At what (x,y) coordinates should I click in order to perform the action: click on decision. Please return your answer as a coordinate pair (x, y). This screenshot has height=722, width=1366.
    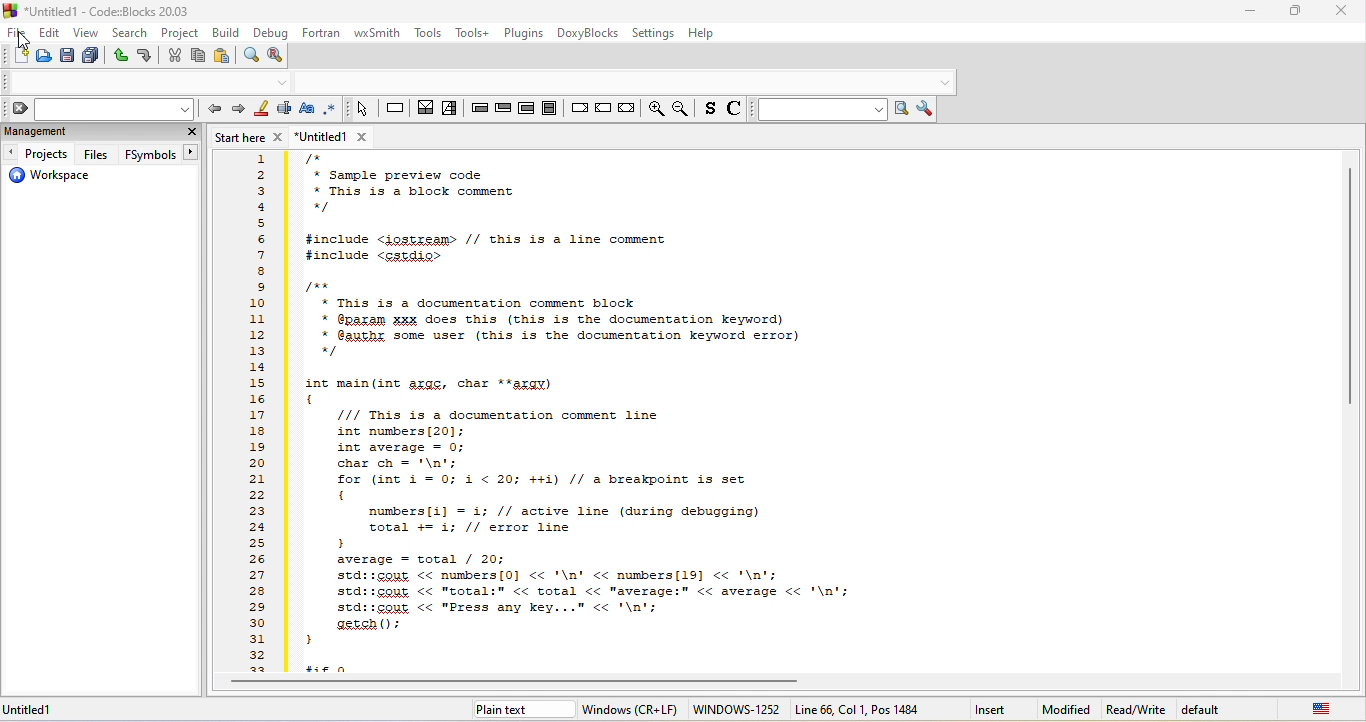
    Looking at the image, I should click on (426, 111).